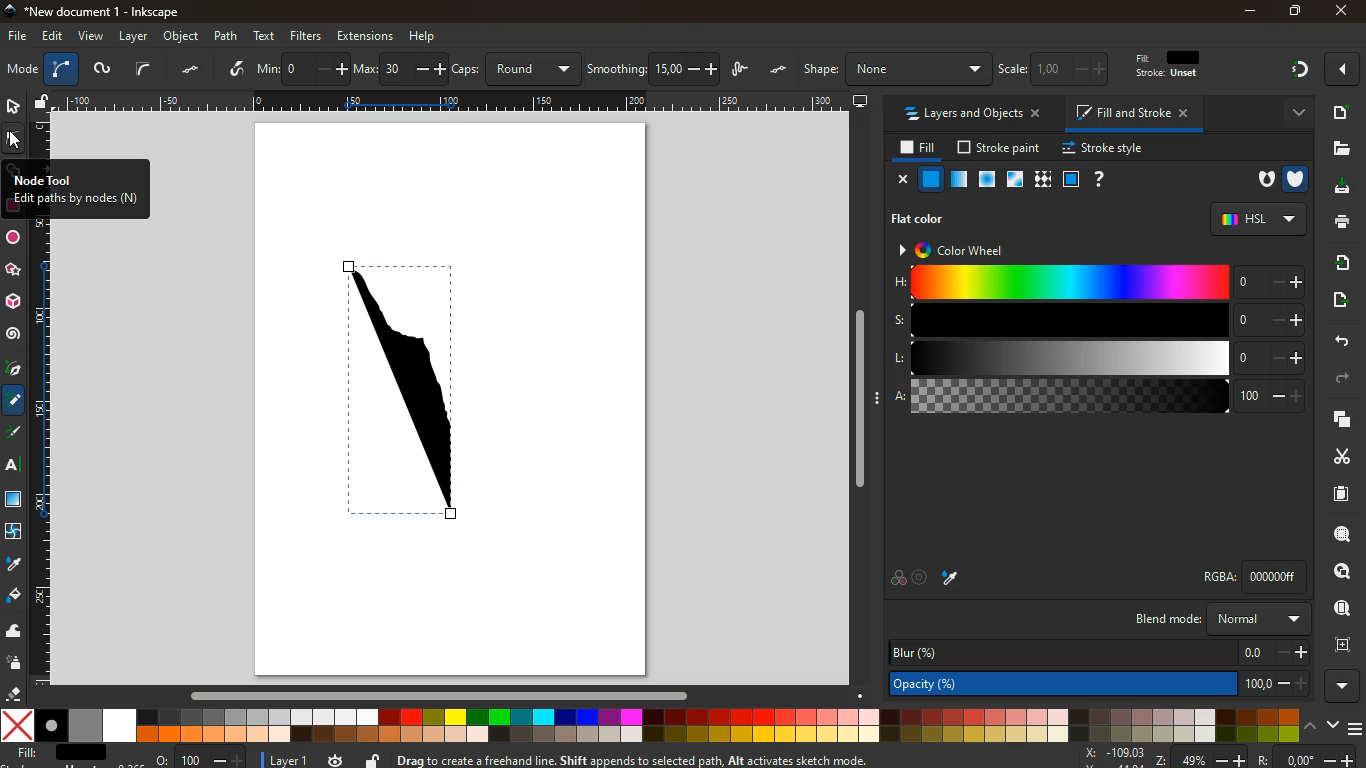  What do you see at coordinates (1070, 179) in the screenshot?
I see `frame` at bounding box center [1070, 179].